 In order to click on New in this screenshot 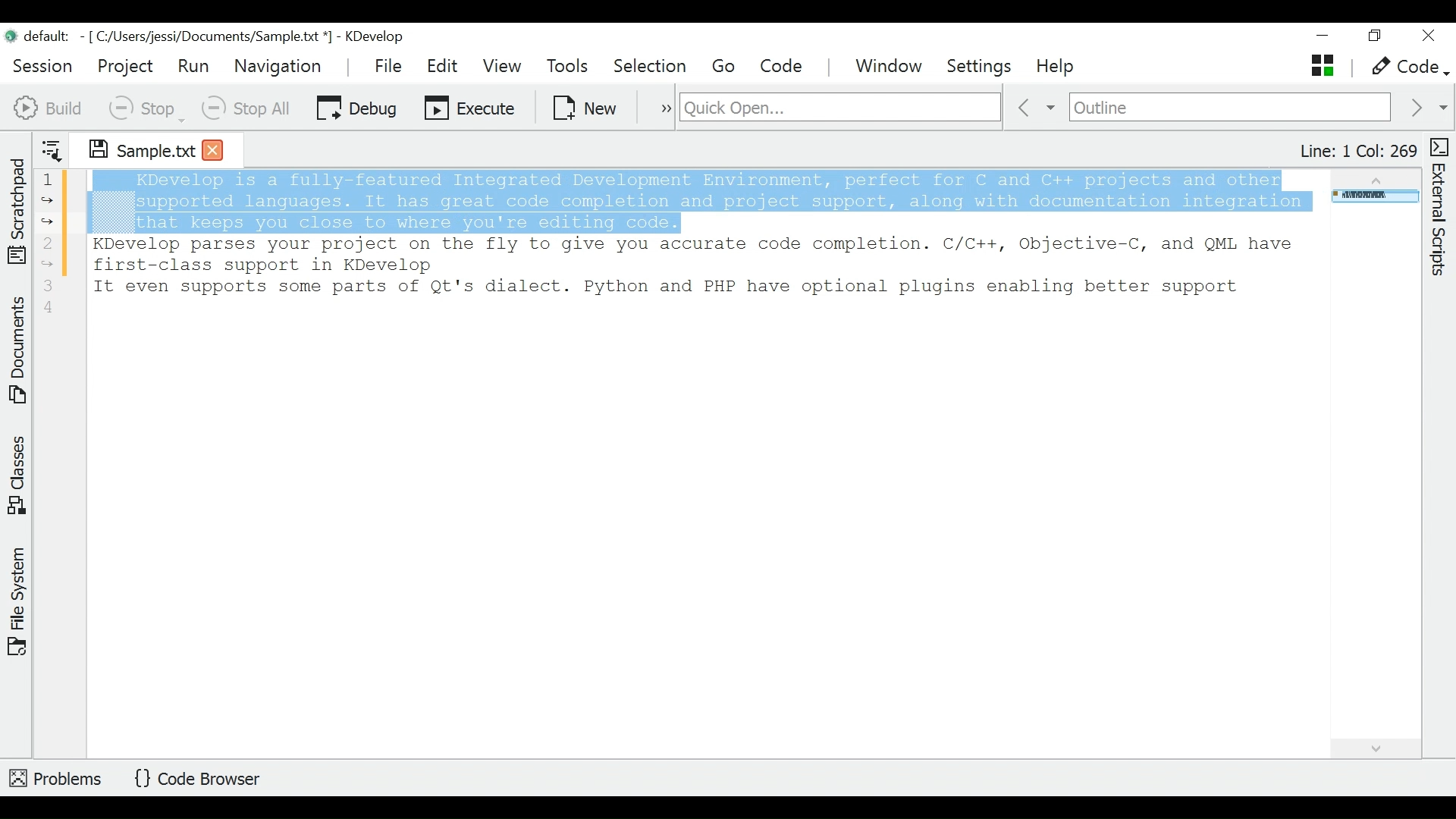, I will do `click(586, 106)`.